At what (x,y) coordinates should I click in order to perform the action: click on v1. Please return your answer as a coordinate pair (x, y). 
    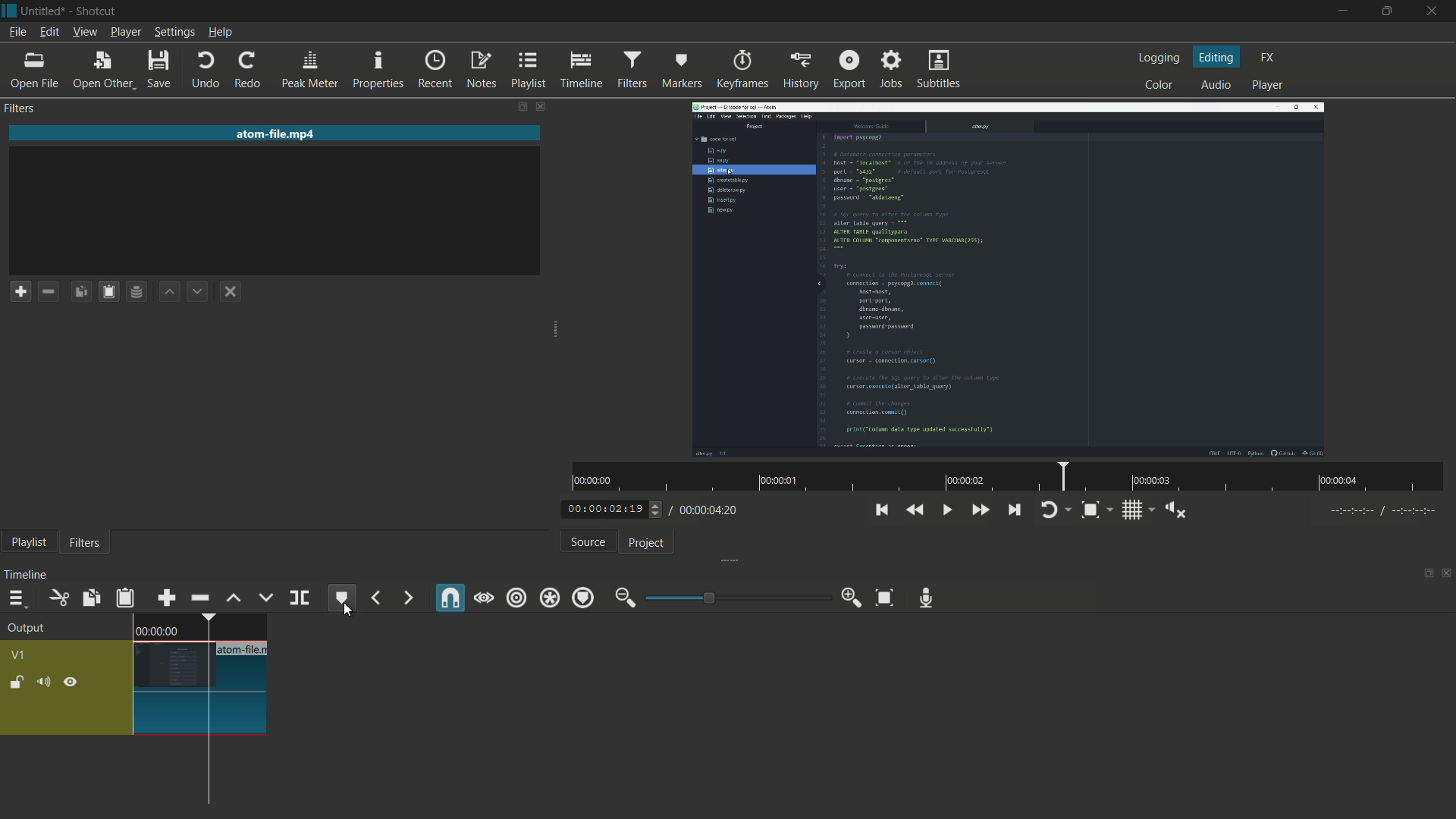
    Looking at the image, I should click on (19, 656).